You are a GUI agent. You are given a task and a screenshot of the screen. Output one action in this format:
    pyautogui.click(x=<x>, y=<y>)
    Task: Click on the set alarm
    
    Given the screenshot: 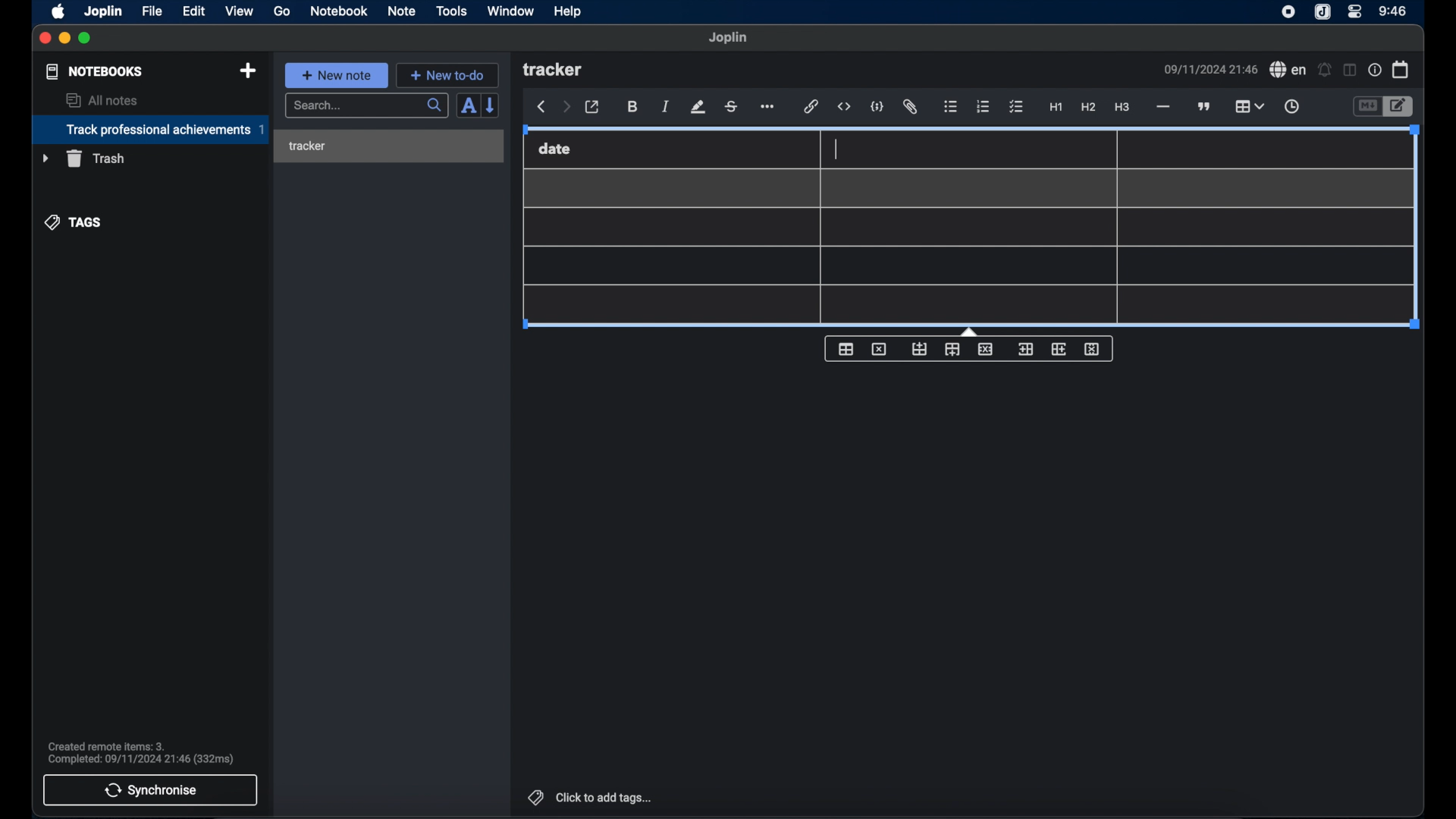 What is the action you would take?
    pyautogui.click(x=1324, y=69)
    